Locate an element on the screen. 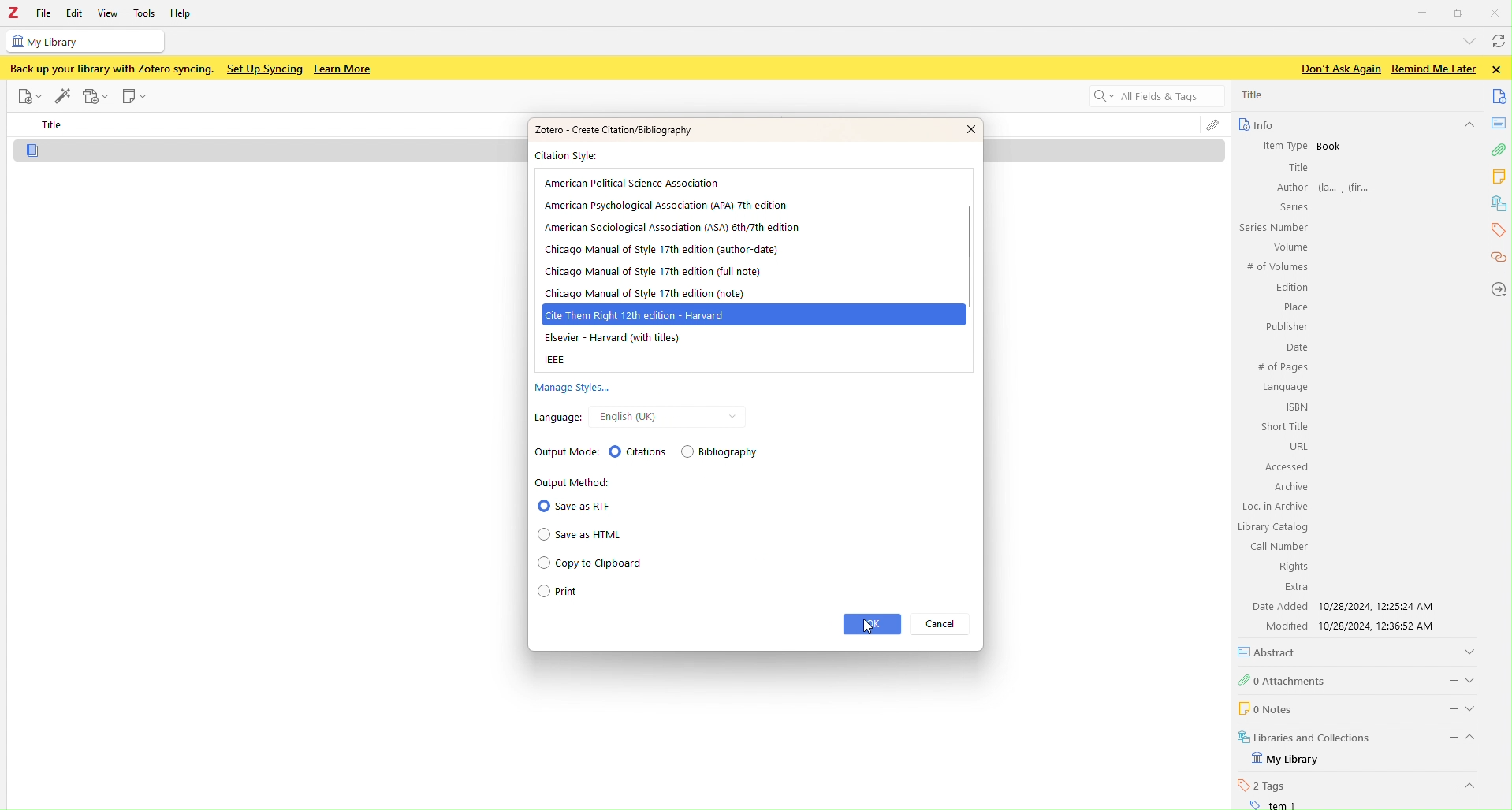 The image size is (1512, 810). Edition is located at coordinates (1292, 288).